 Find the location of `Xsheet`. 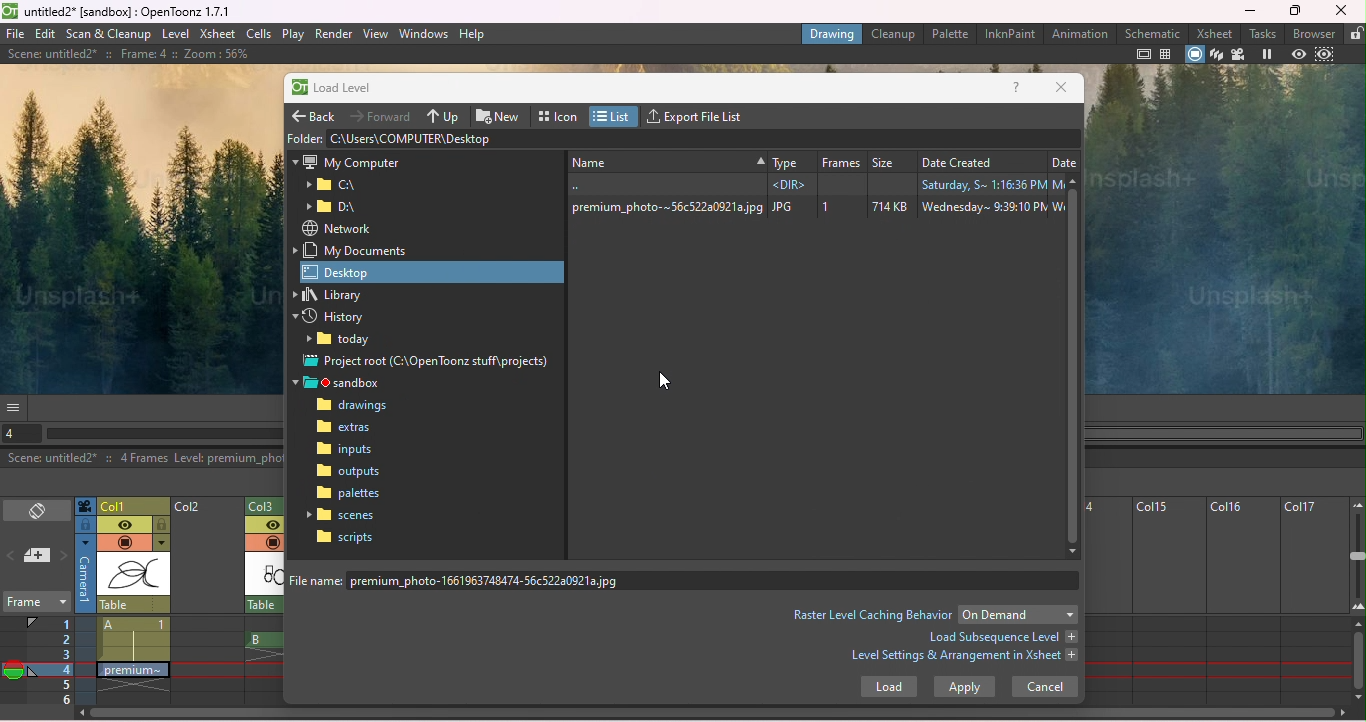

Xsheet is located at coordinates (1217, 33).